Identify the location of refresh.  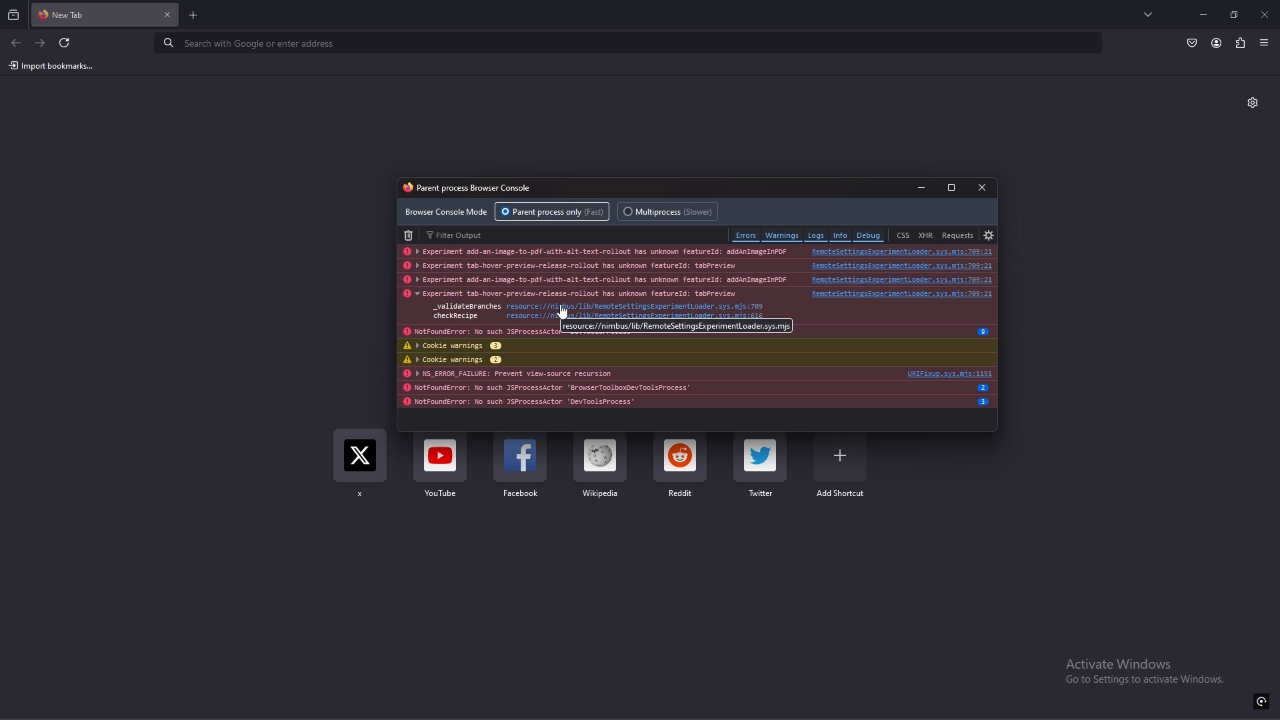
(66, 43).